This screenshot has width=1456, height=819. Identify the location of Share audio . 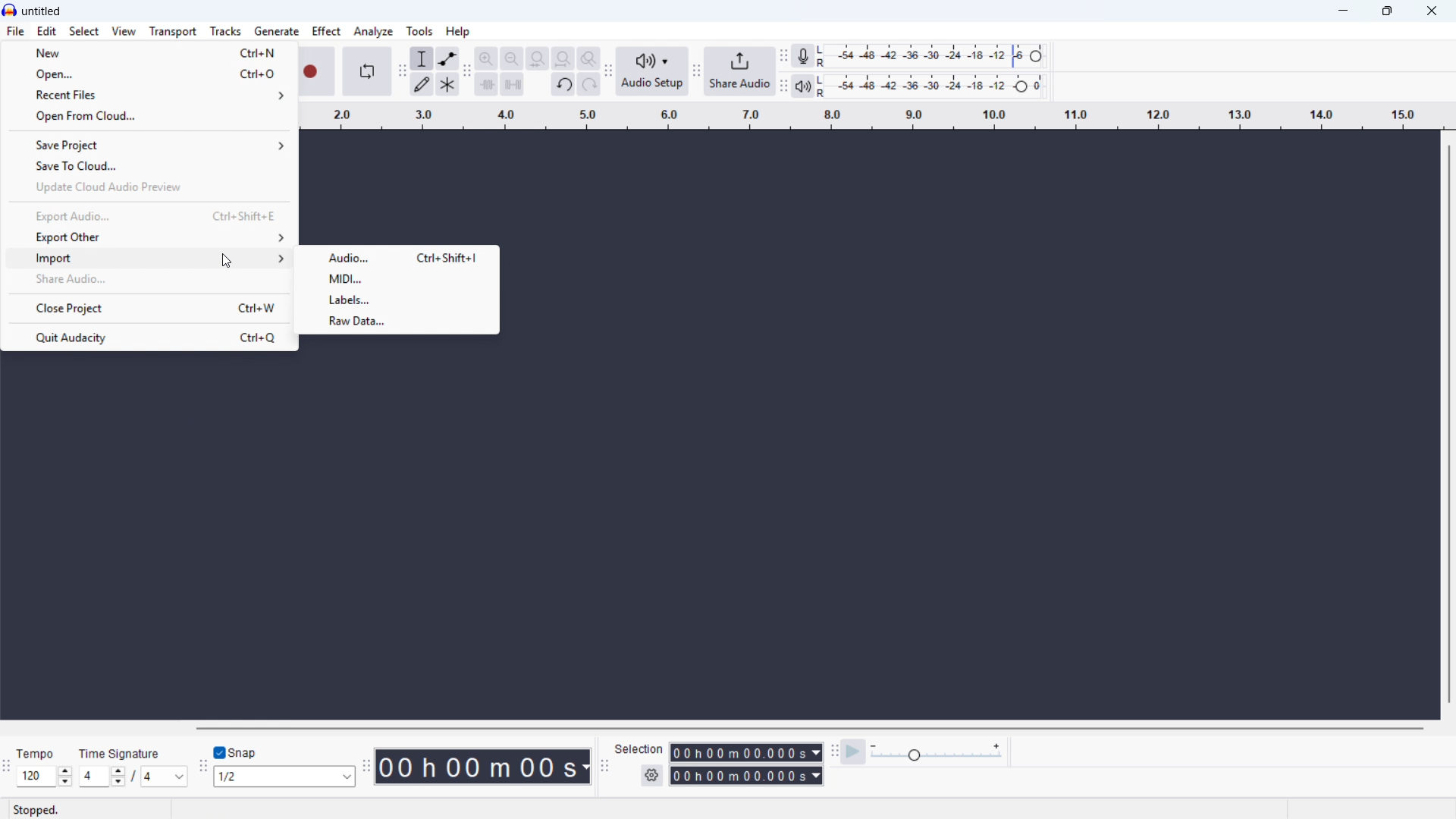
(740, 72).